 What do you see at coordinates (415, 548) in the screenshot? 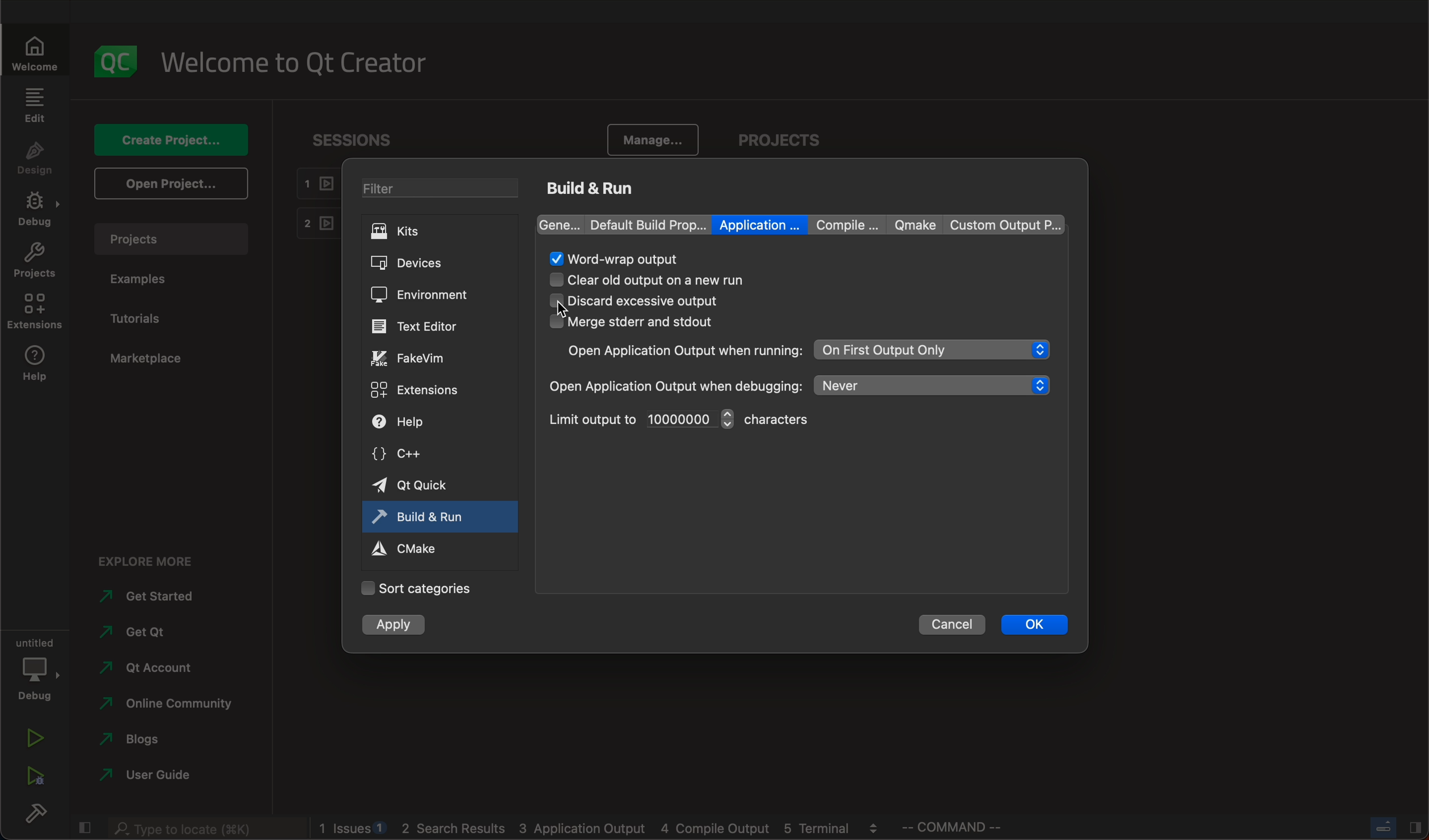
I see `cmake` at bounding box center [415, 548].